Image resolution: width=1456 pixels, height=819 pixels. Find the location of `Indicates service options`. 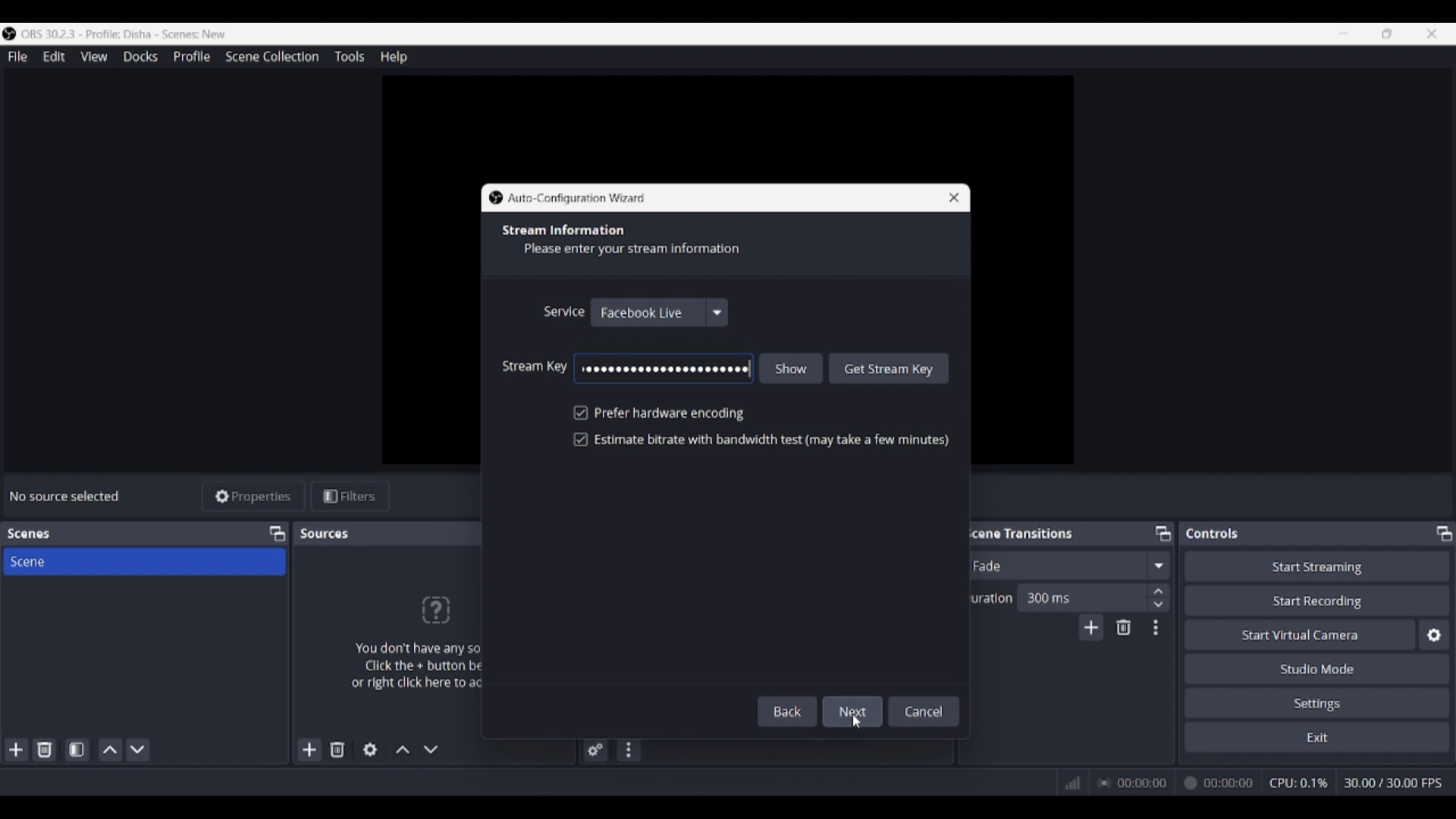

Indicates service options is located at coordinates (563, 311).